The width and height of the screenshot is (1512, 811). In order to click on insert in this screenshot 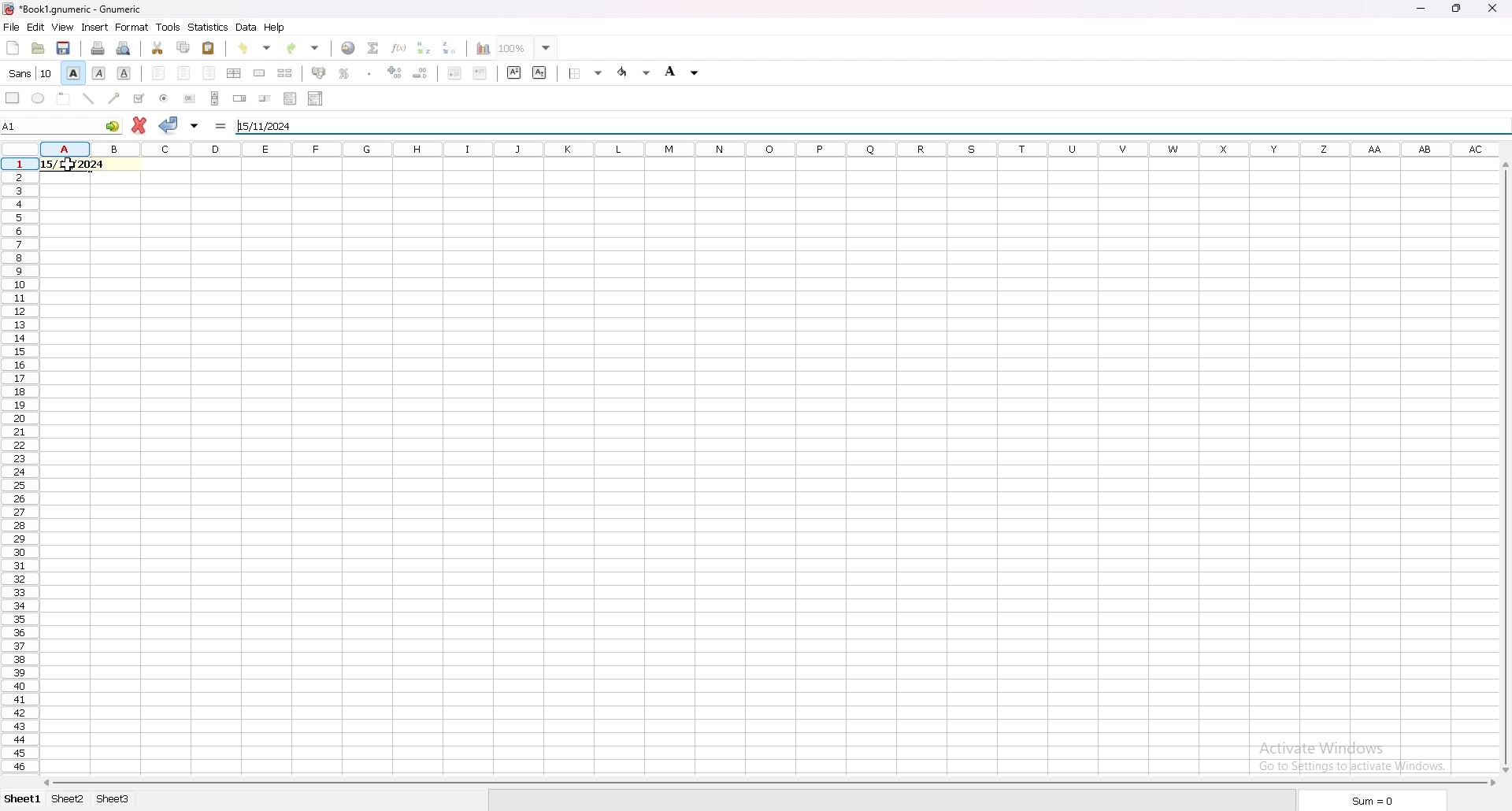, I will do `click(96, 27)`.